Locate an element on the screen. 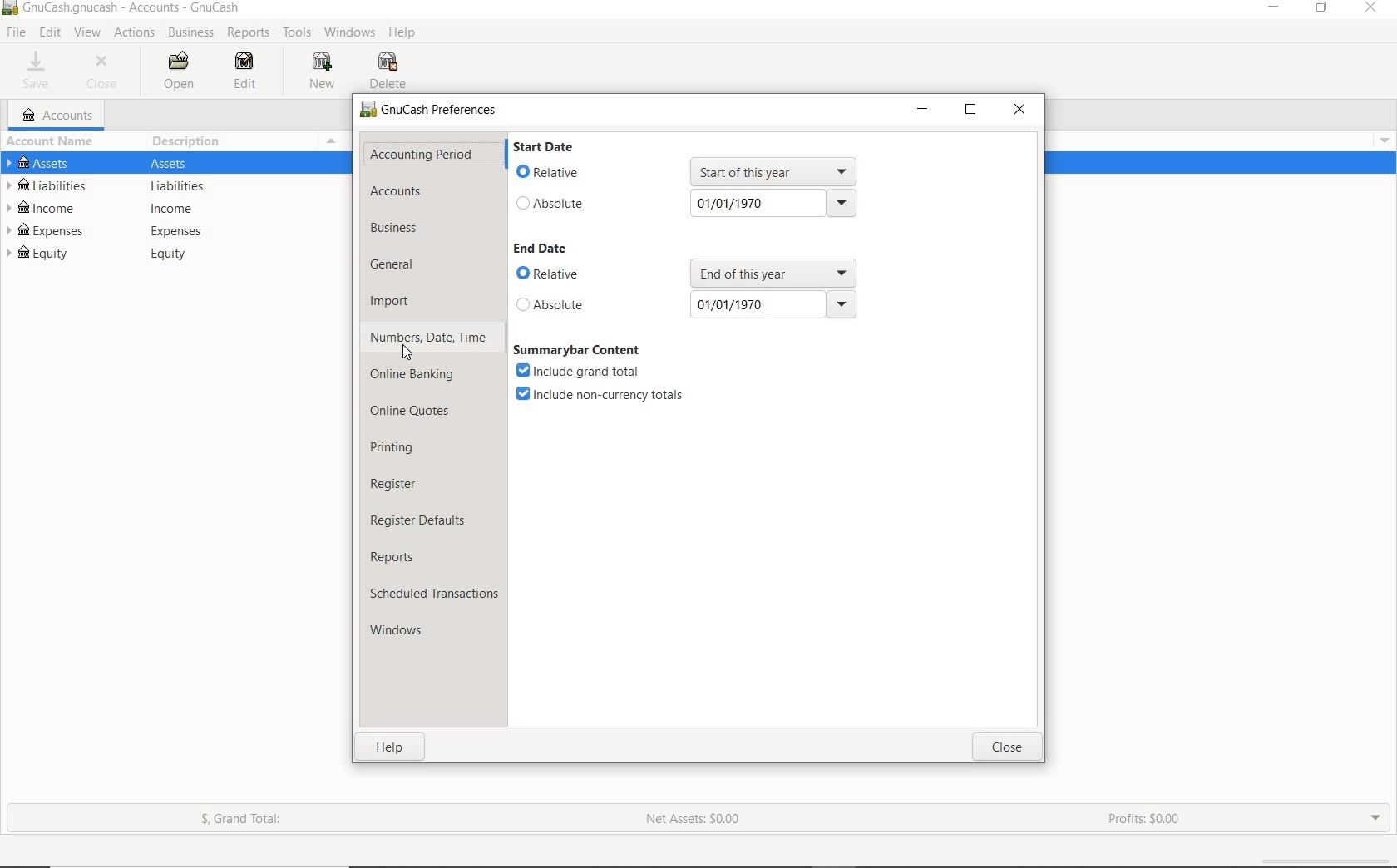 The image size is (1397, 868). OPEN is located at coordinates (180, 72).